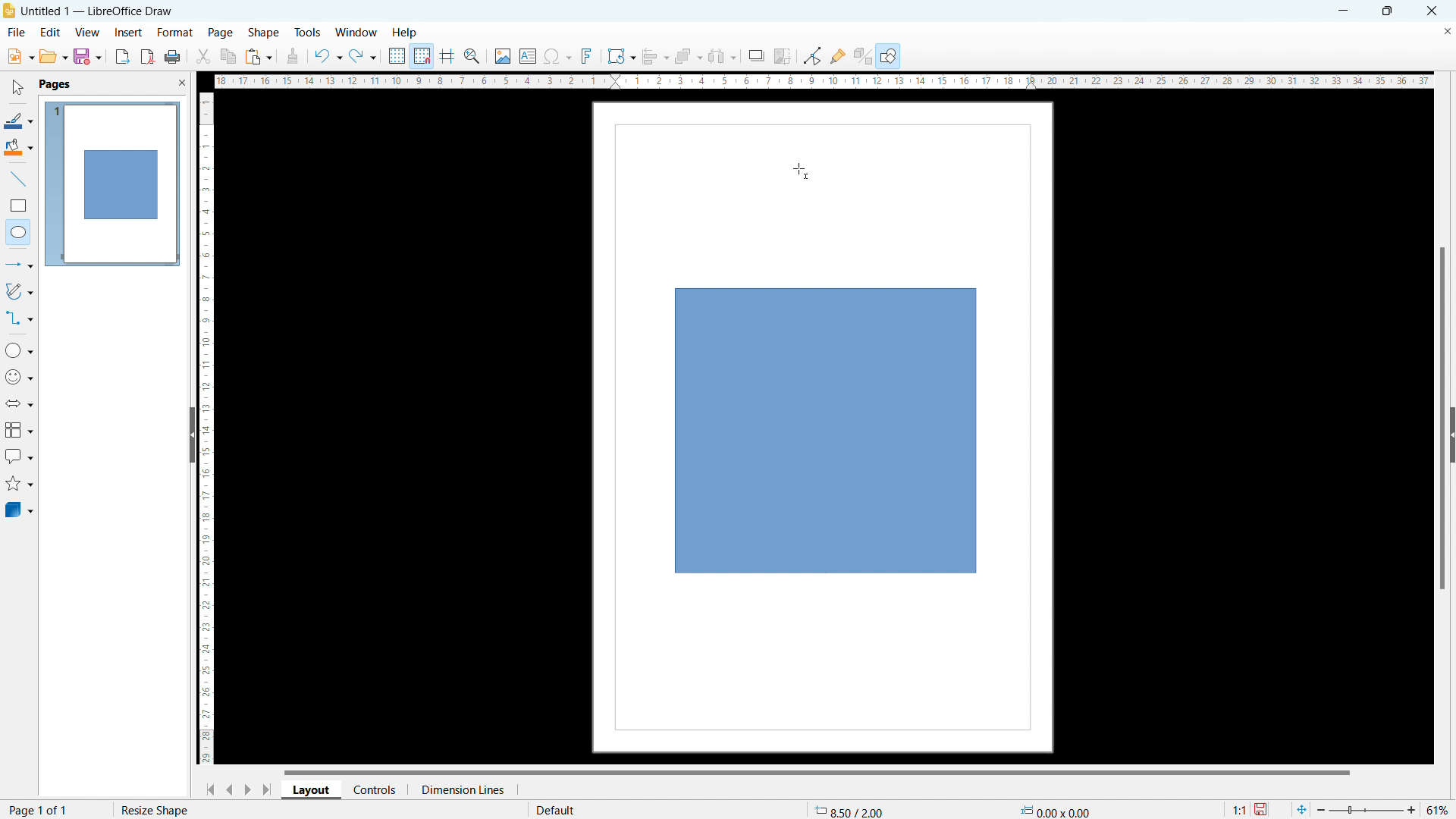 This screenshot has width=1456, height=819. I want to click on new, so click(20, 56).